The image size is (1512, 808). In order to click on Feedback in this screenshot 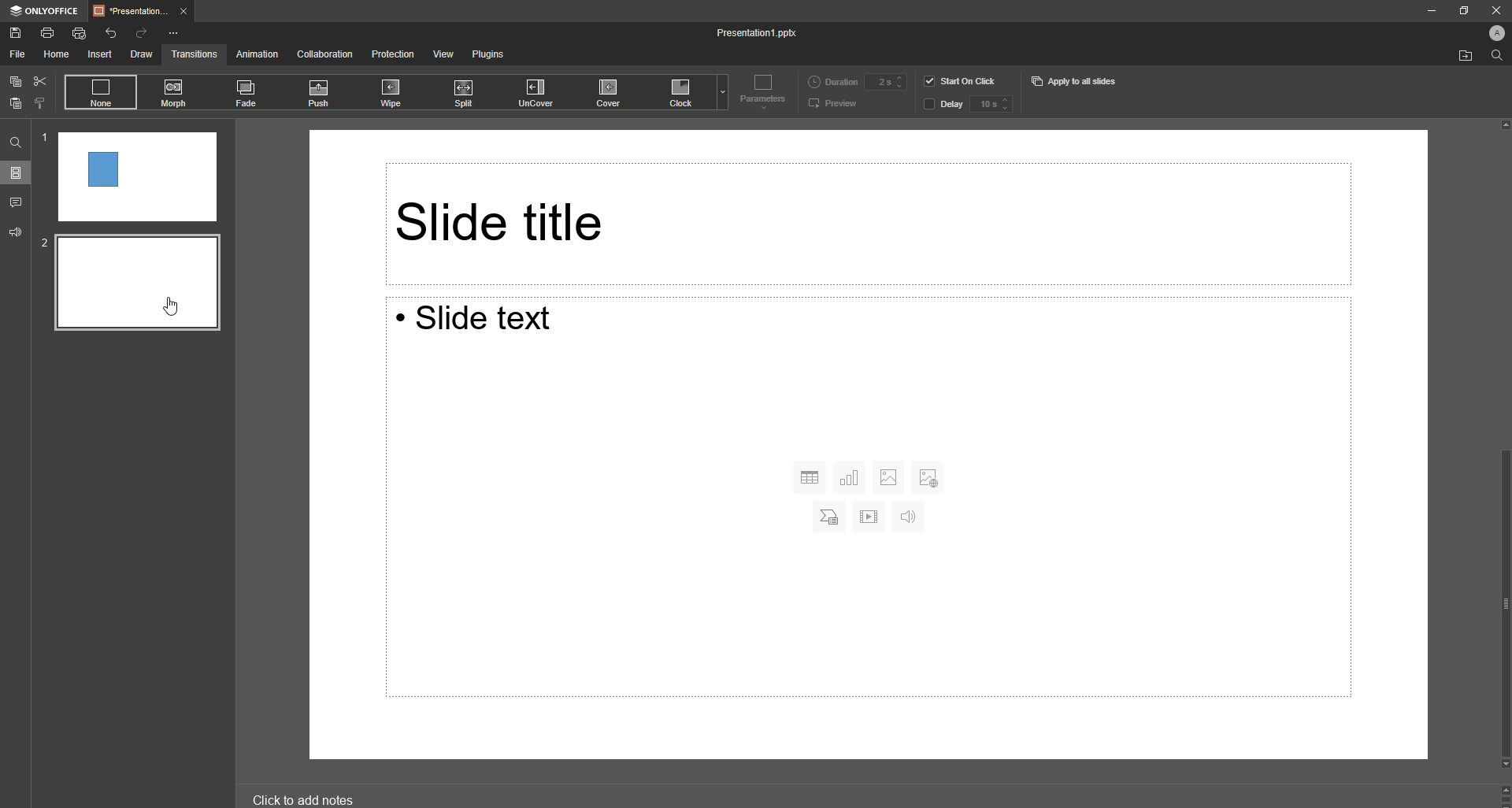, I will do `click(14, 232)`.